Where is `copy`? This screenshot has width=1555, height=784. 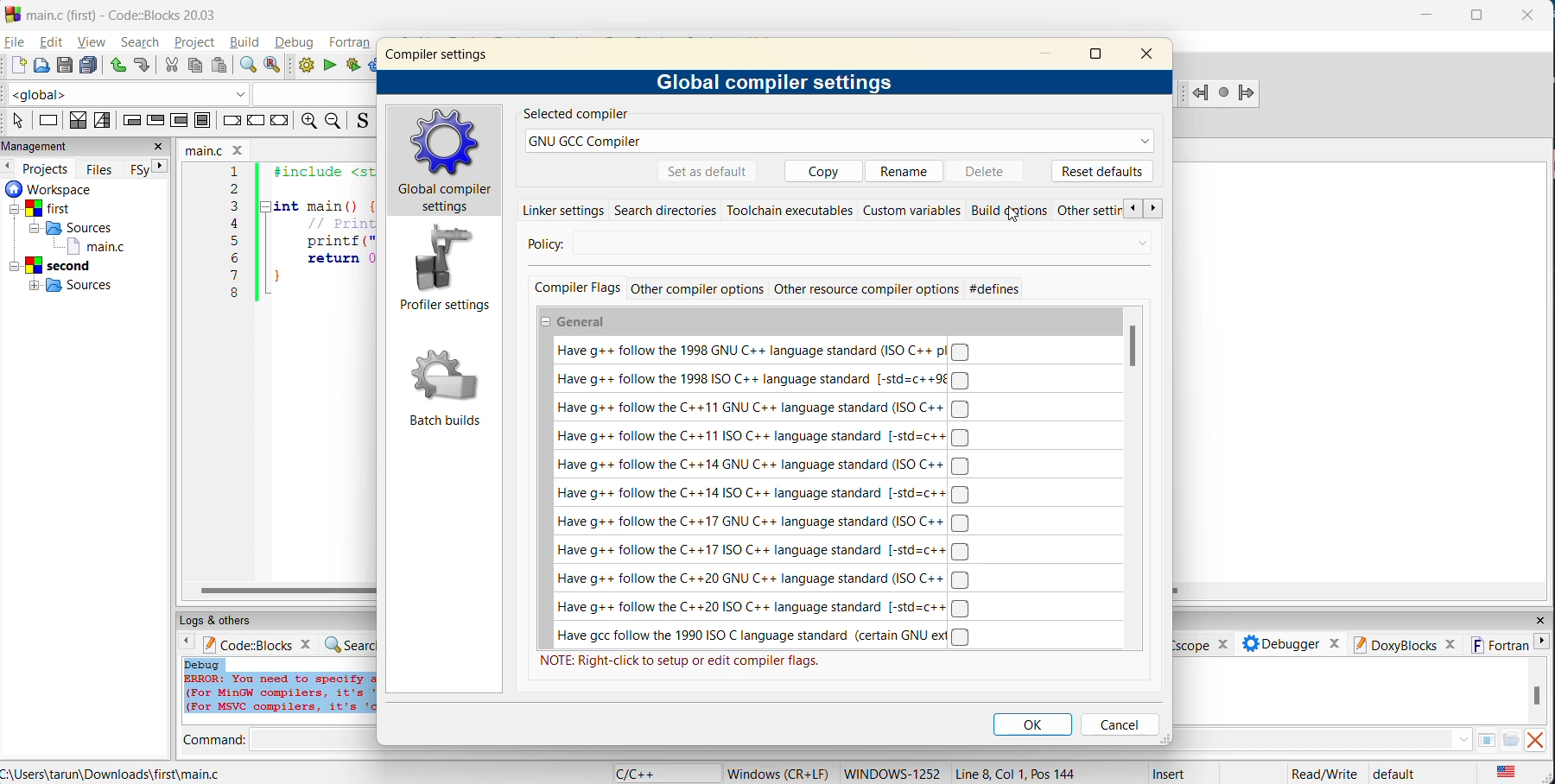
copy is located at coordinates (197, 66).